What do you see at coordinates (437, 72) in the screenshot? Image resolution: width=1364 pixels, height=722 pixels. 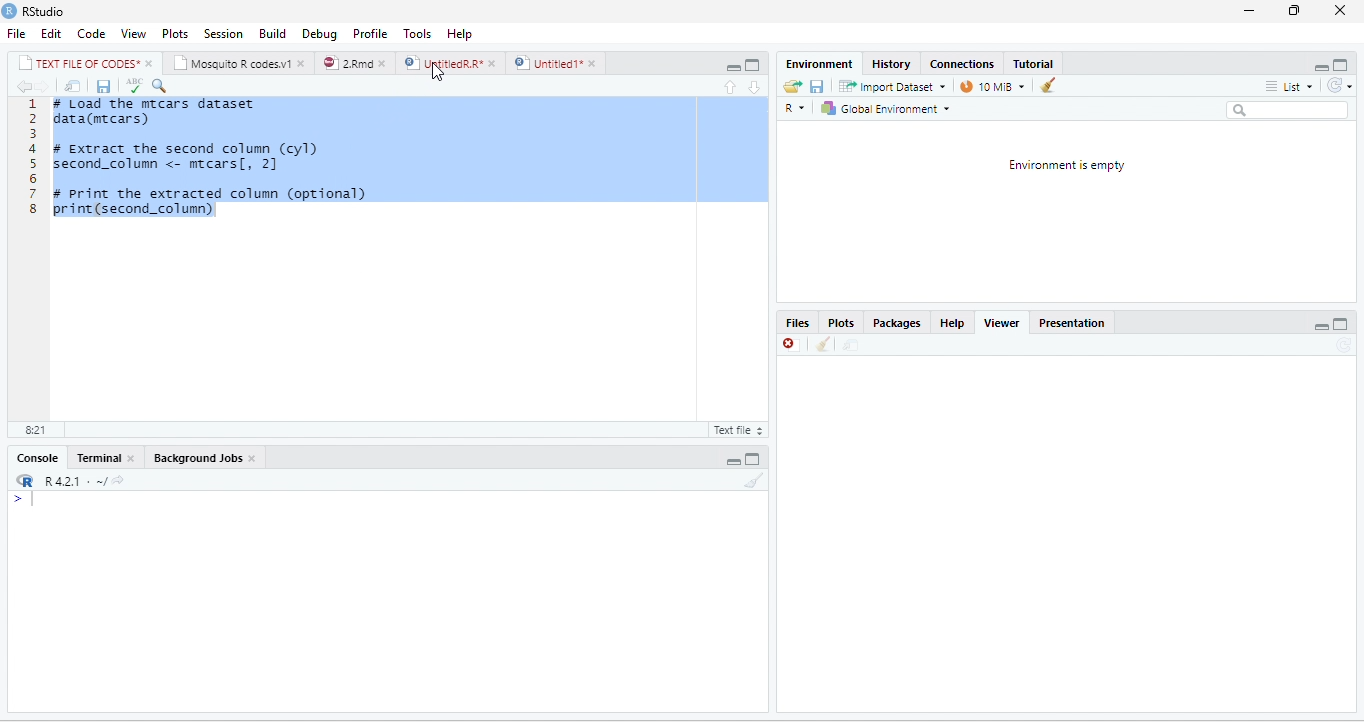 I see `cursor` at bounding box center [437, 72].